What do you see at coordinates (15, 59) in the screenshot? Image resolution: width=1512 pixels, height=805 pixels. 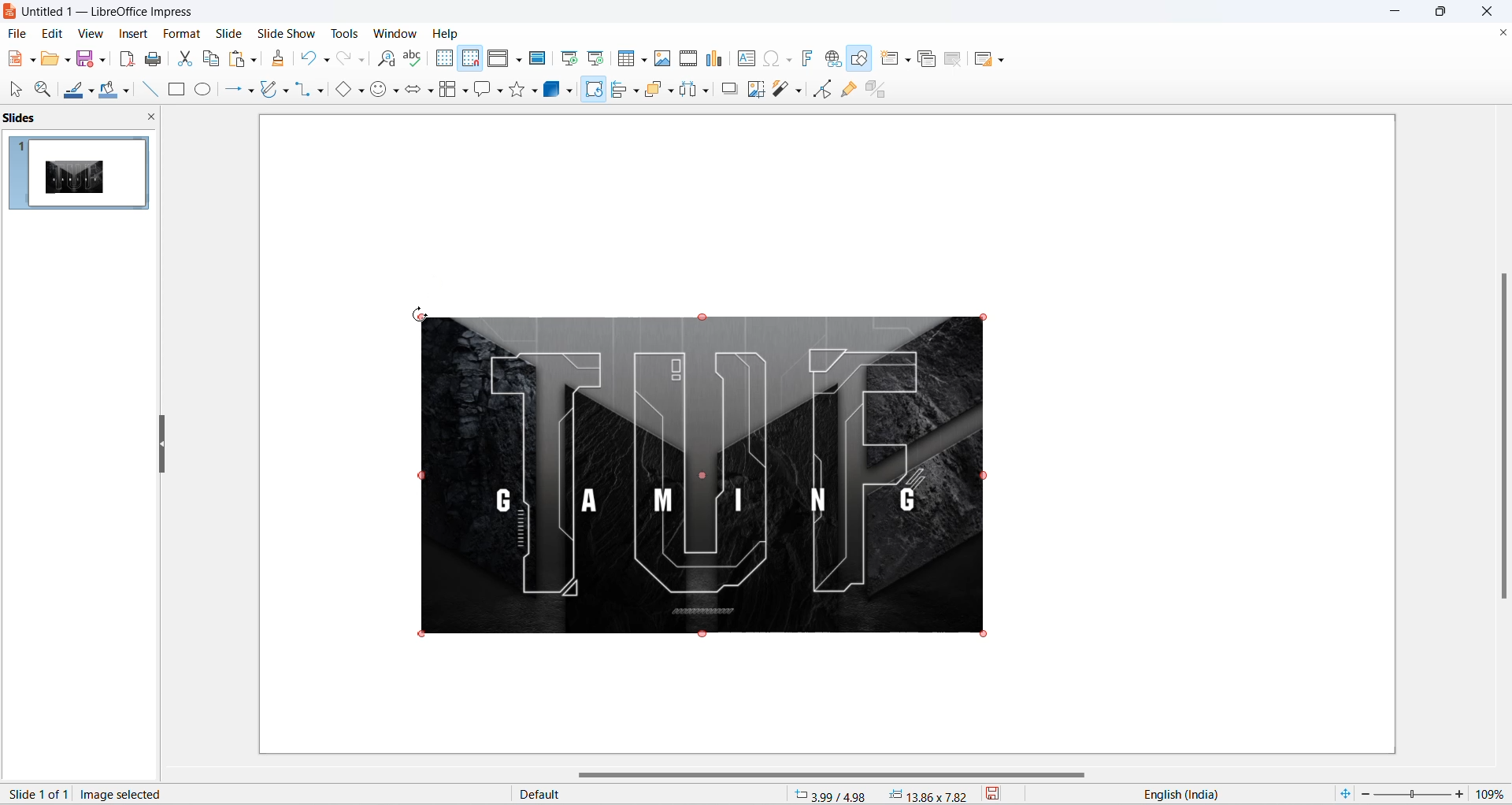 I see `new file` at bounding box center [15, 59].